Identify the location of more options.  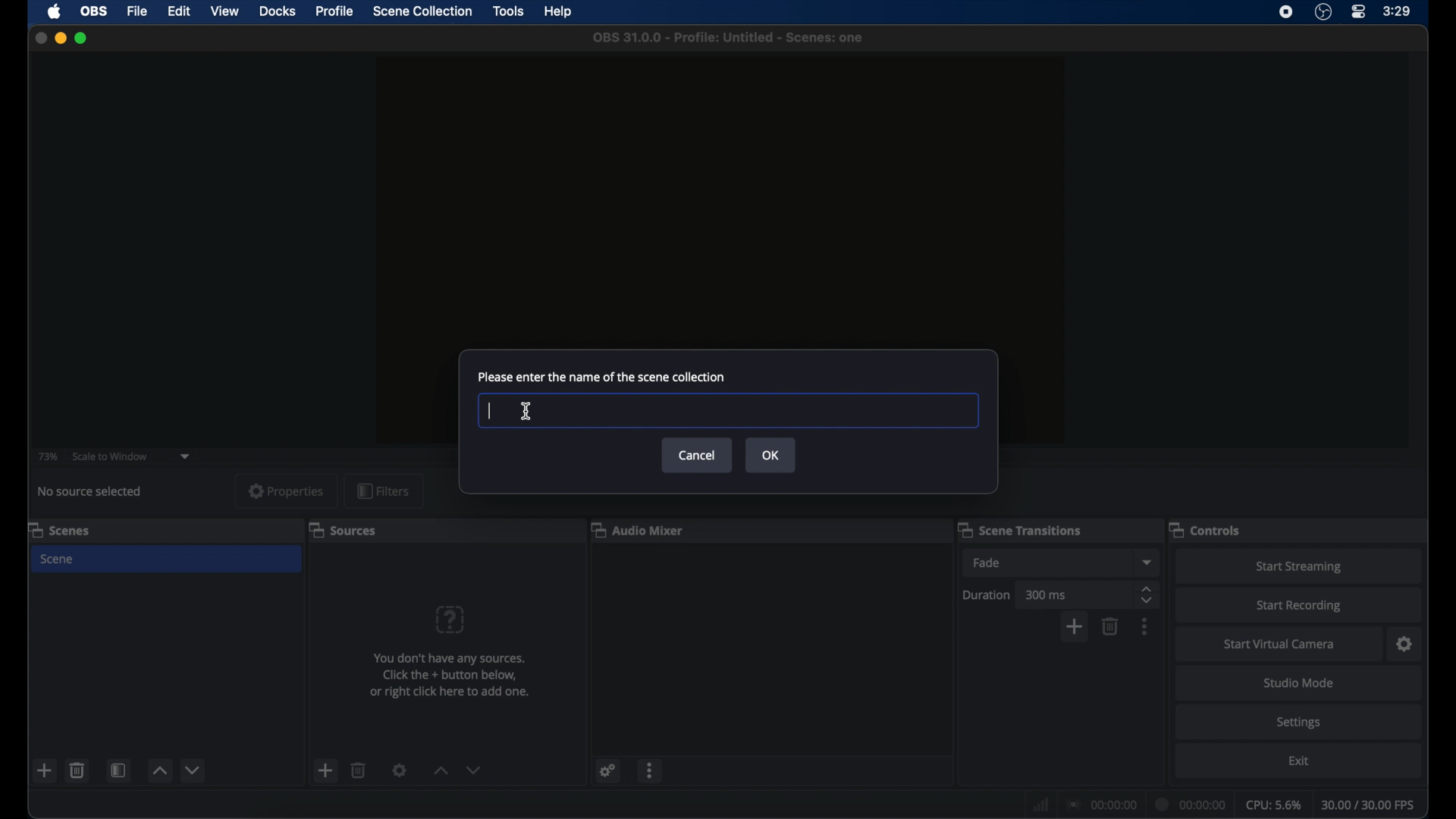
(1145, 626).